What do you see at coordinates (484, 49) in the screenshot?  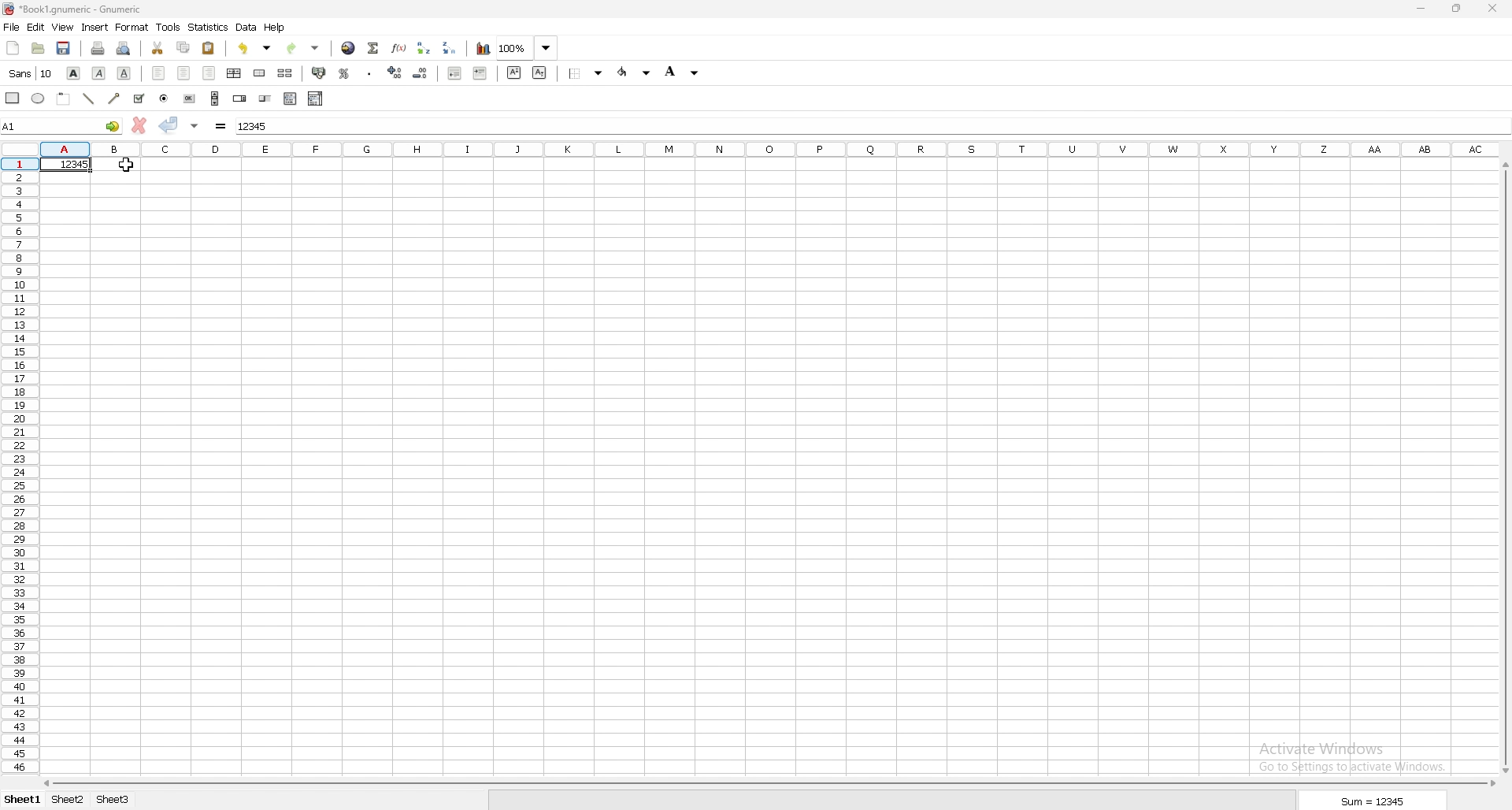 I see `chart` at bounding box center [484, 49].